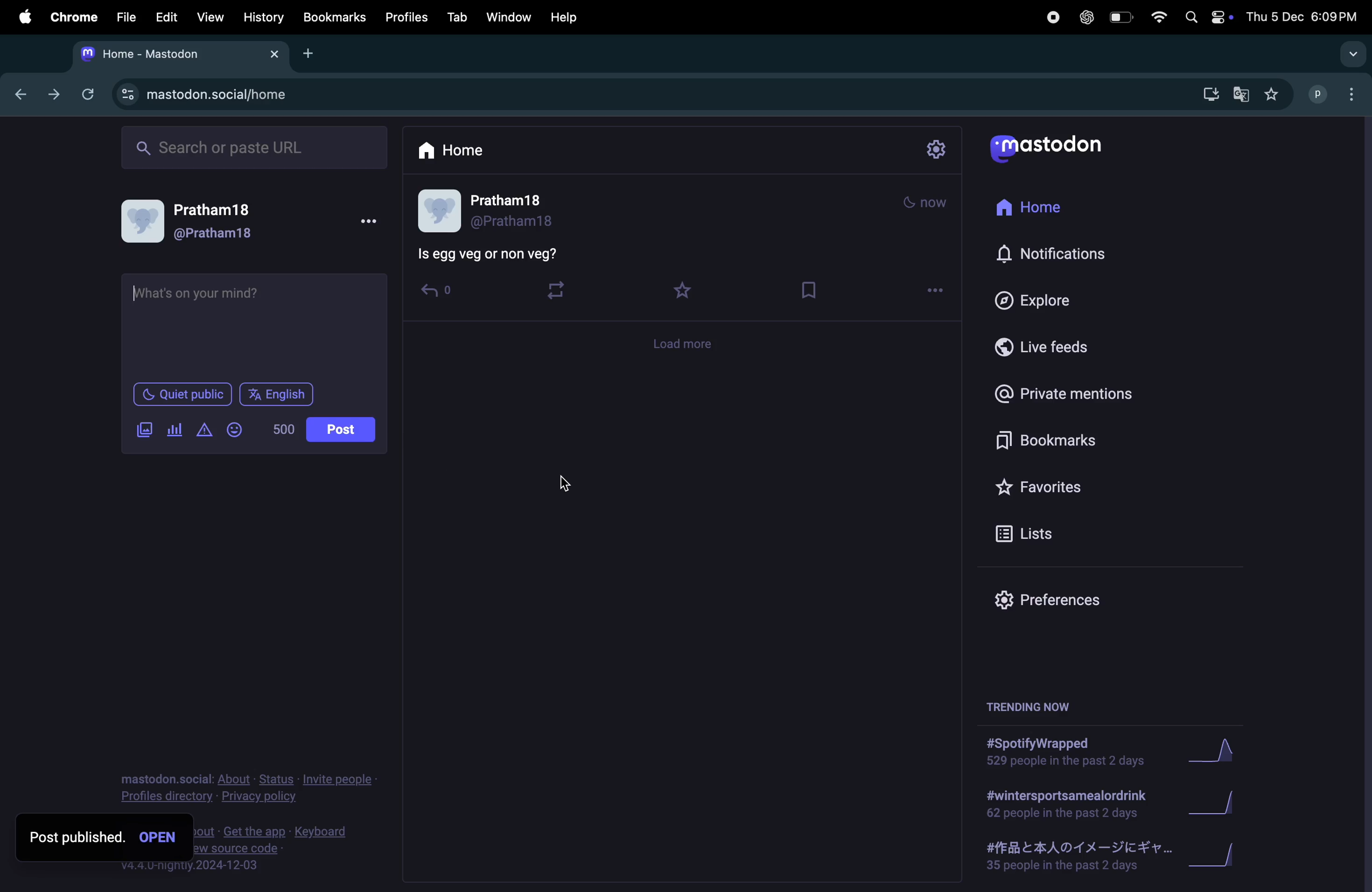 The height and width of the screenshot is (892, 1372). What do you see at coordinates (174, 432) in the screenshot?
I see `poll` at bounding box center [174, 432].